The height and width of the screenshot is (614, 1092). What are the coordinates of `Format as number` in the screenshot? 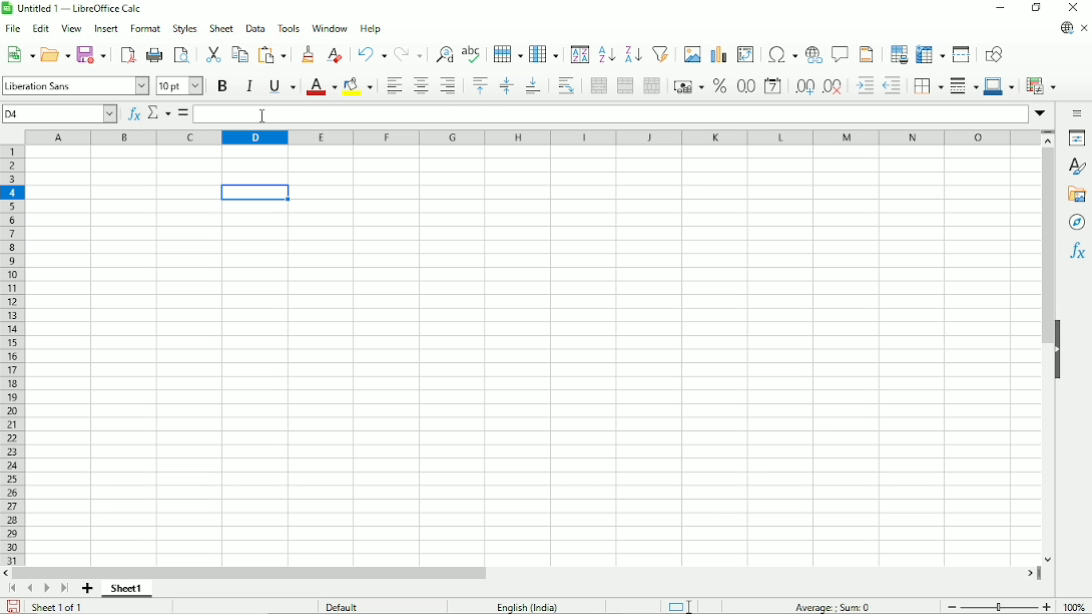 It's located at (746, 86).